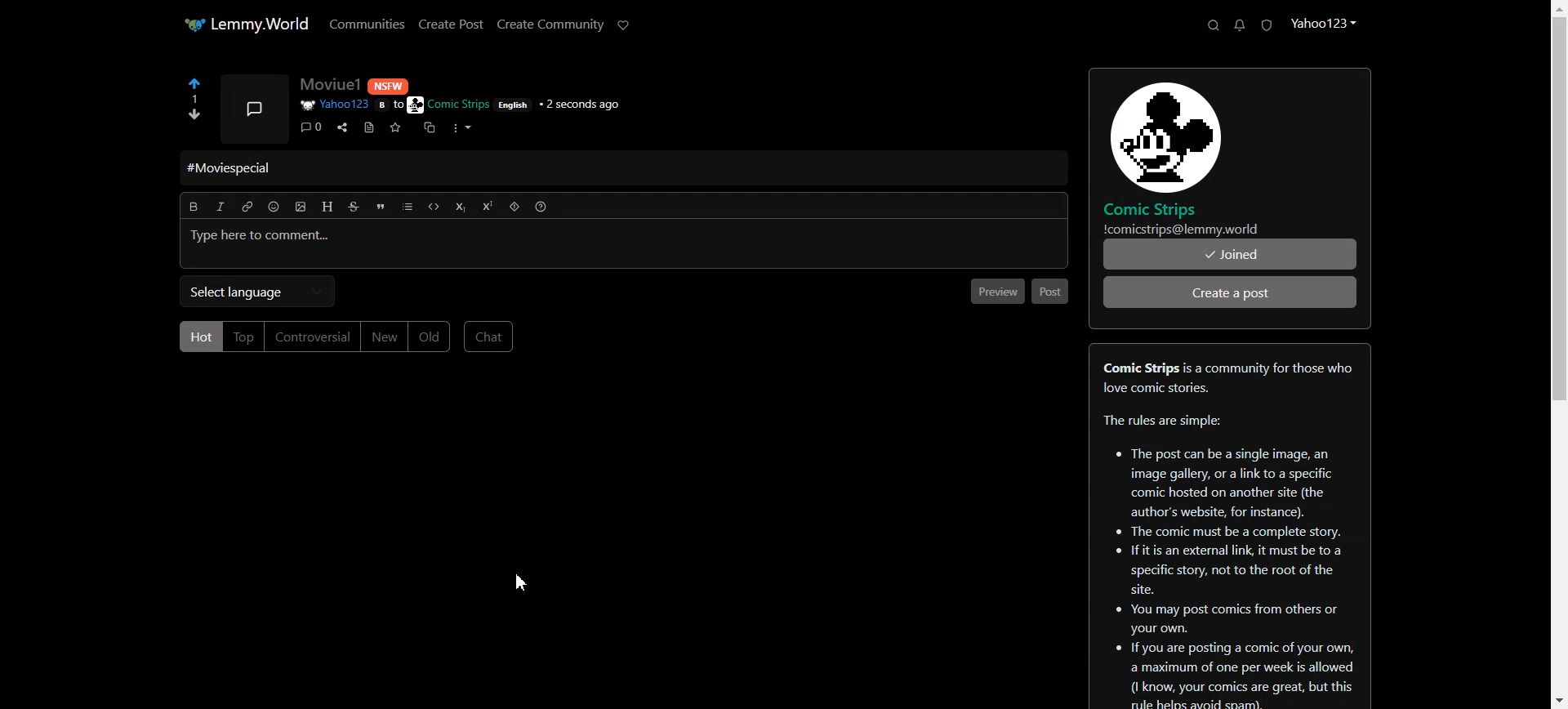 The image size is (1568, 709). What do you see at coordinates (379, 206) in the screenshot?
I see `Quote` at bounding box center [379, 206].